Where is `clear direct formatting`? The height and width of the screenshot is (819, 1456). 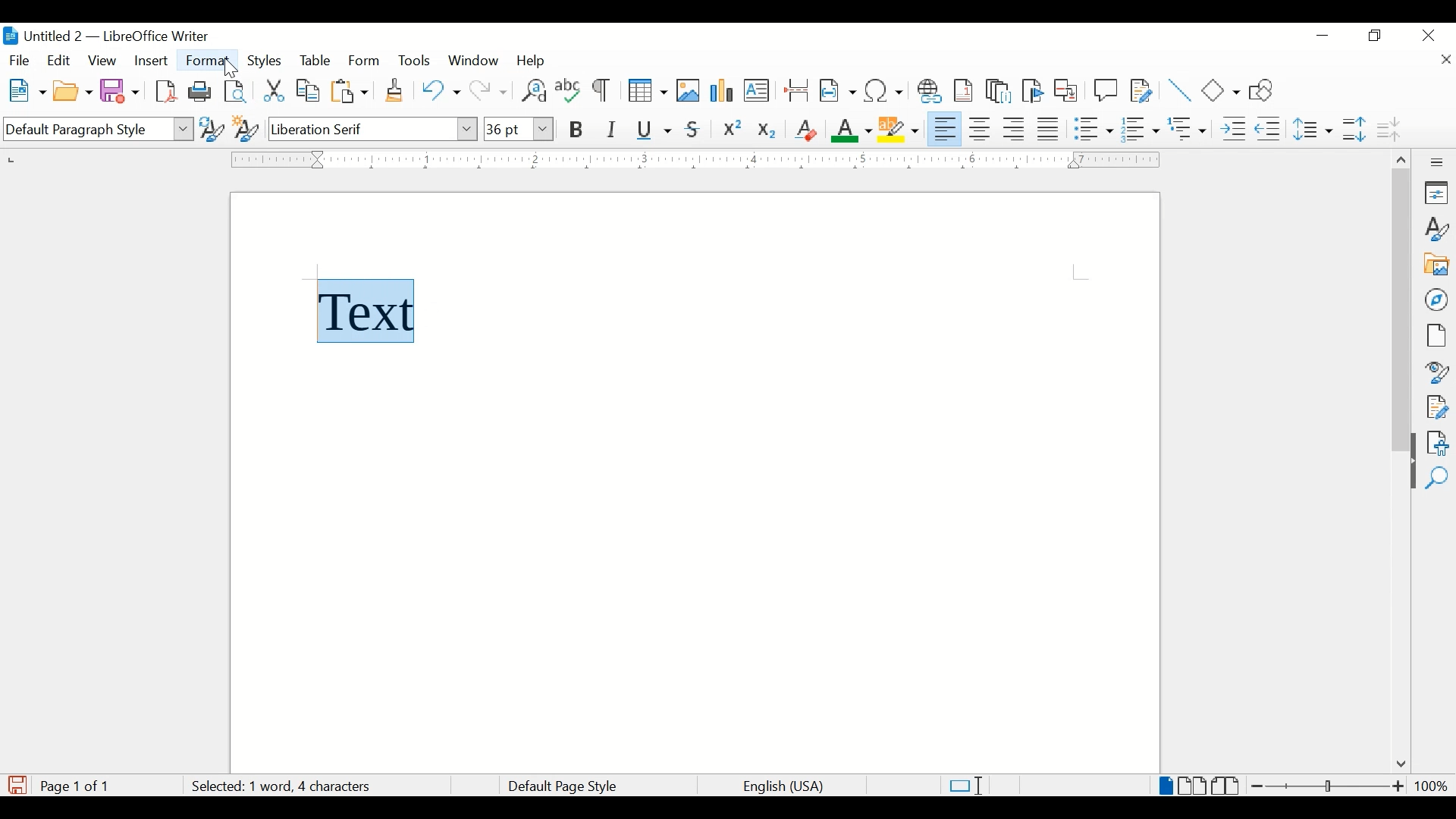 clear direct formatting is located at coordinates (805, 130).